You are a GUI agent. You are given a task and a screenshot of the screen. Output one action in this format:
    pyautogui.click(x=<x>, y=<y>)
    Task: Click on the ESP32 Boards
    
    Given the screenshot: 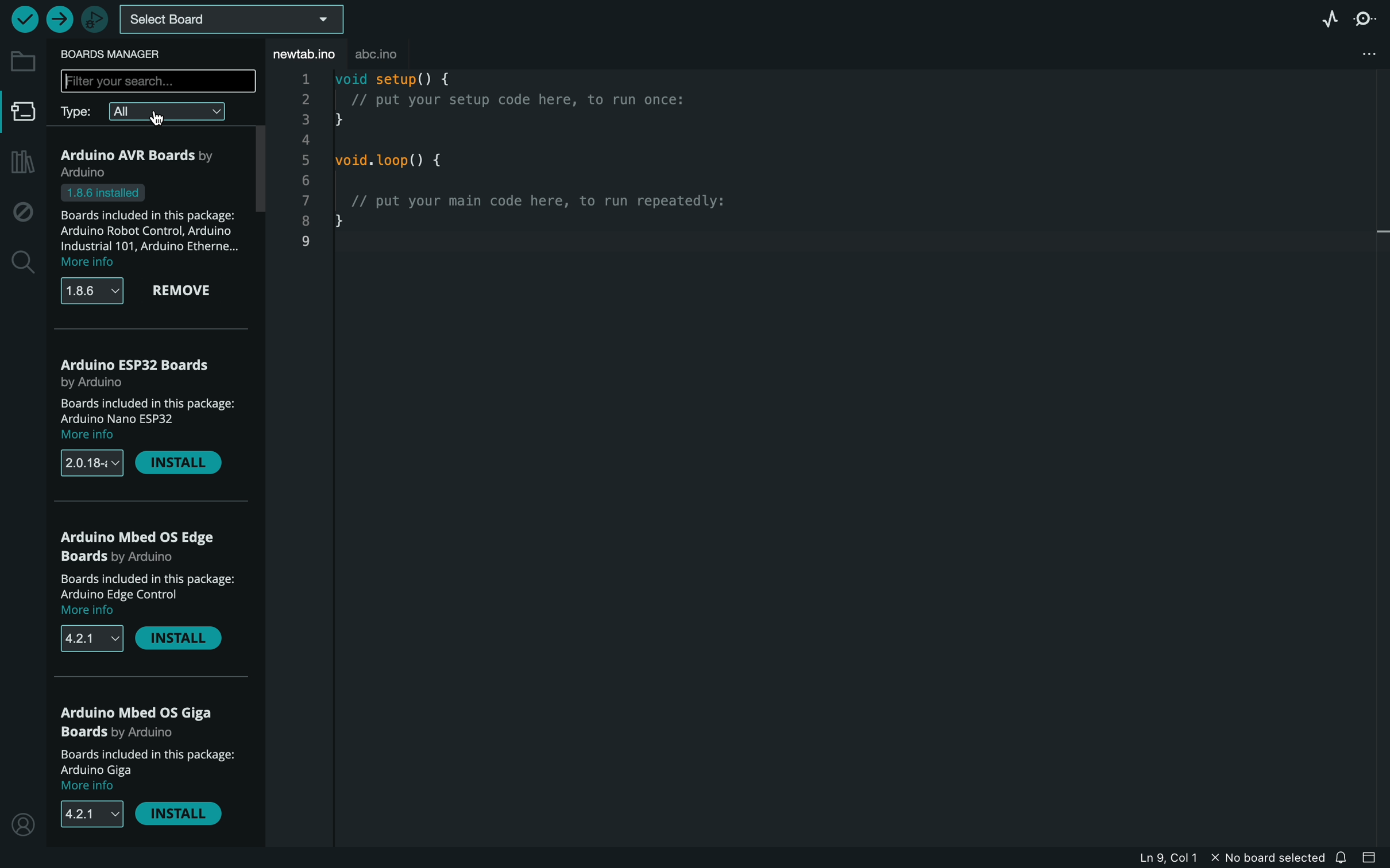 What is the action you would take?
    pyautogui.click(x=138, y=370)
    